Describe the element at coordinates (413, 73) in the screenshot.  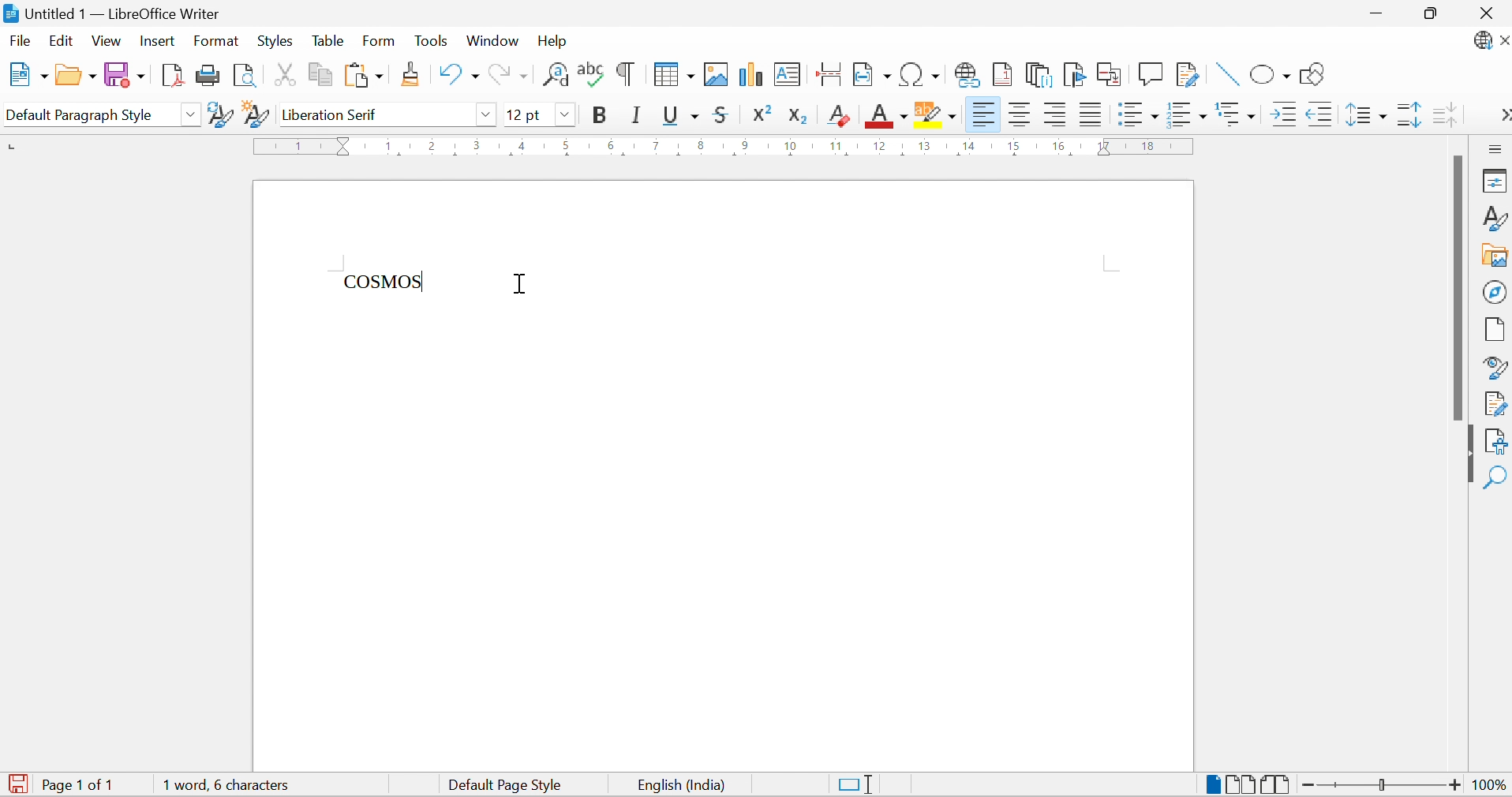
I see `Clone Formatting` at that location.